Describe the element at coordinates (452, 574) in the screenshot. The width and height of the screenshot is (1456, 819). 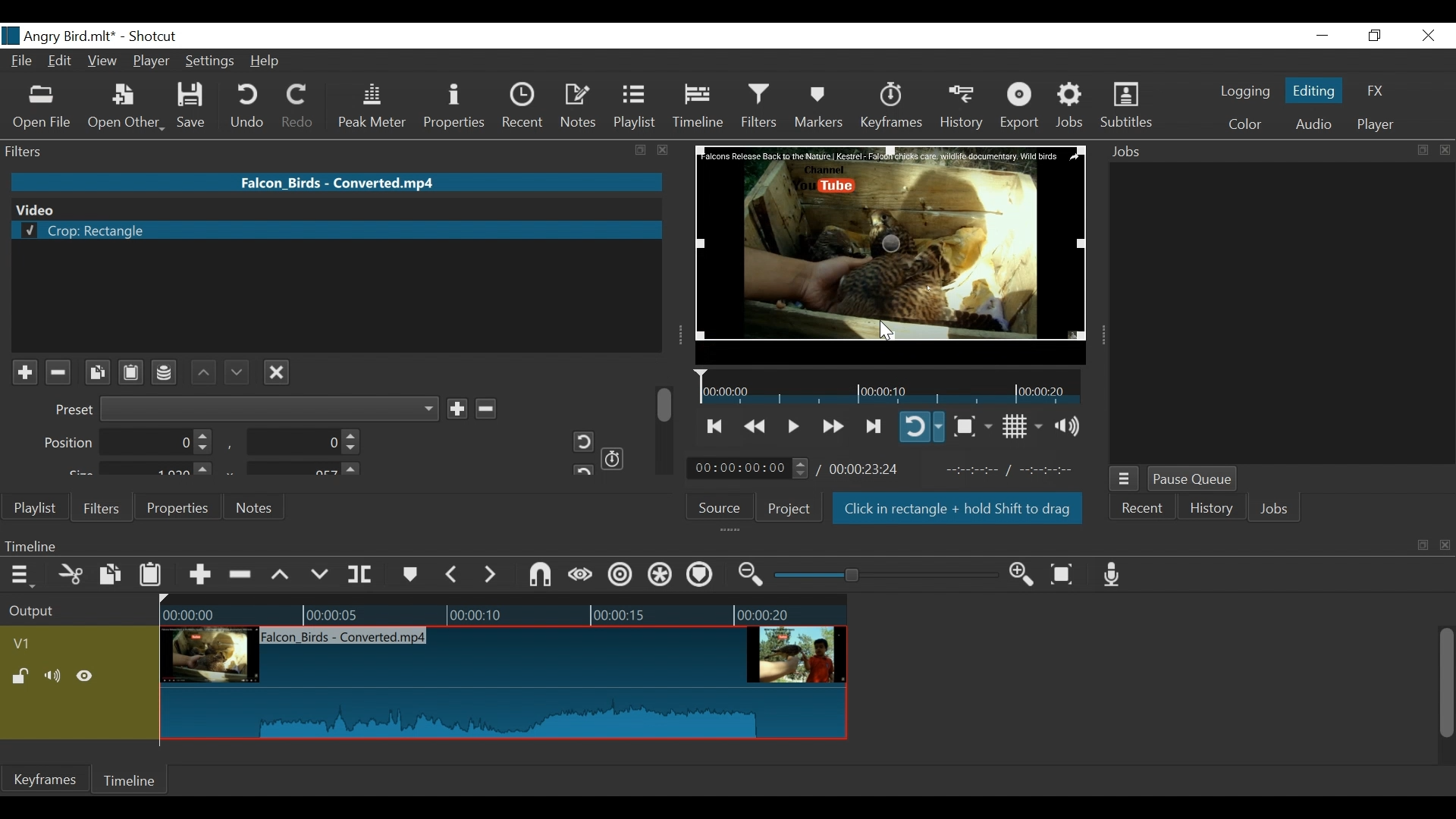
I see `Previous marker` at that location.